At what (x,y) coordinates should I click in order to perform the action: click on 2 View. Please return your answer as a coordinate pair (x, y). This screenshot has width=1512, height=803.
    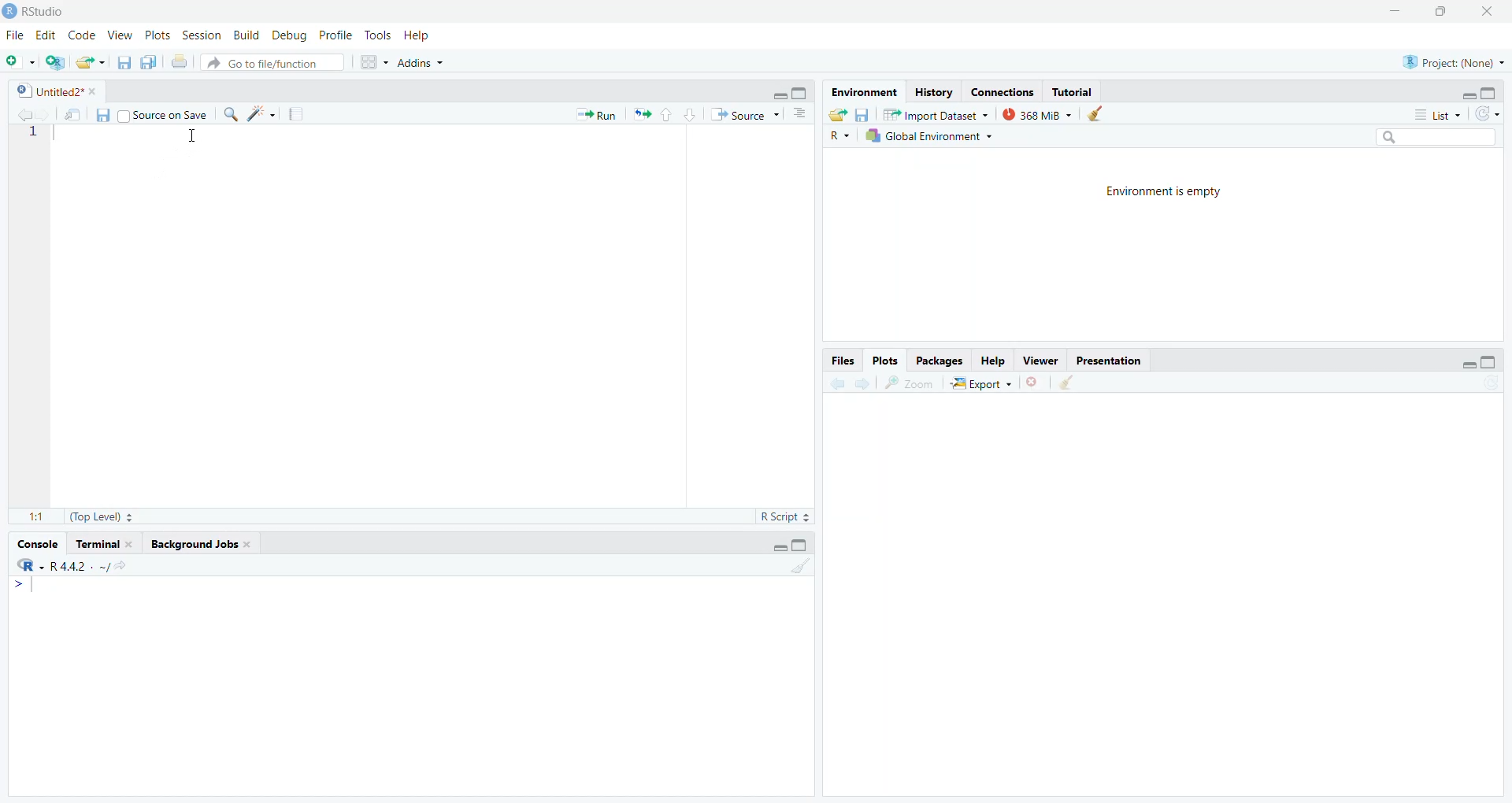
    Looking at the image, I should click on (120, 36).